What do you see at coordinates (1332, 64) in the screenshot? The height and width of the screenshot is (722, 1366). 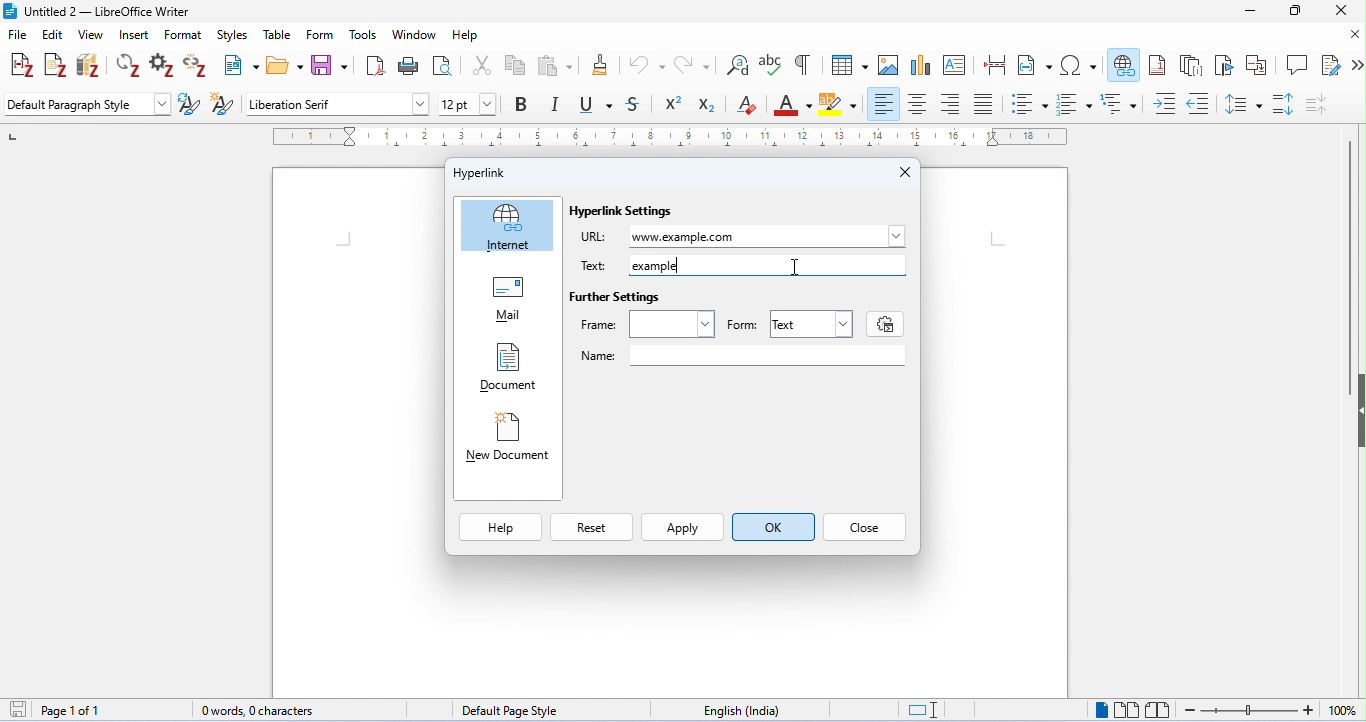 I see `show track changes function` at bounding box center [1332, 64].